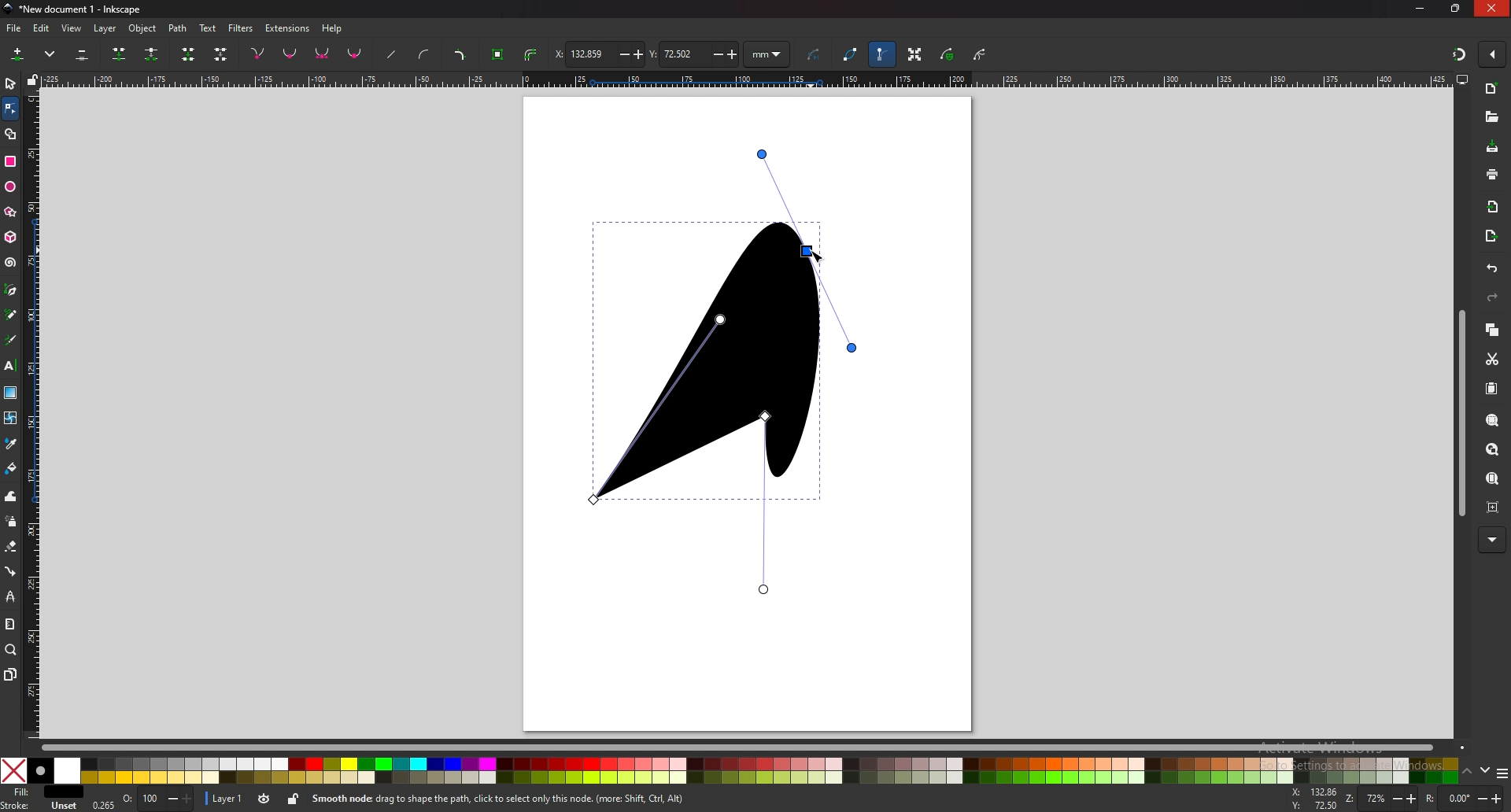 This screenshot has height=812, width=1511. Describe the element at coordinates (1420, 9) in the screenshot. I see `minimize` at that location.